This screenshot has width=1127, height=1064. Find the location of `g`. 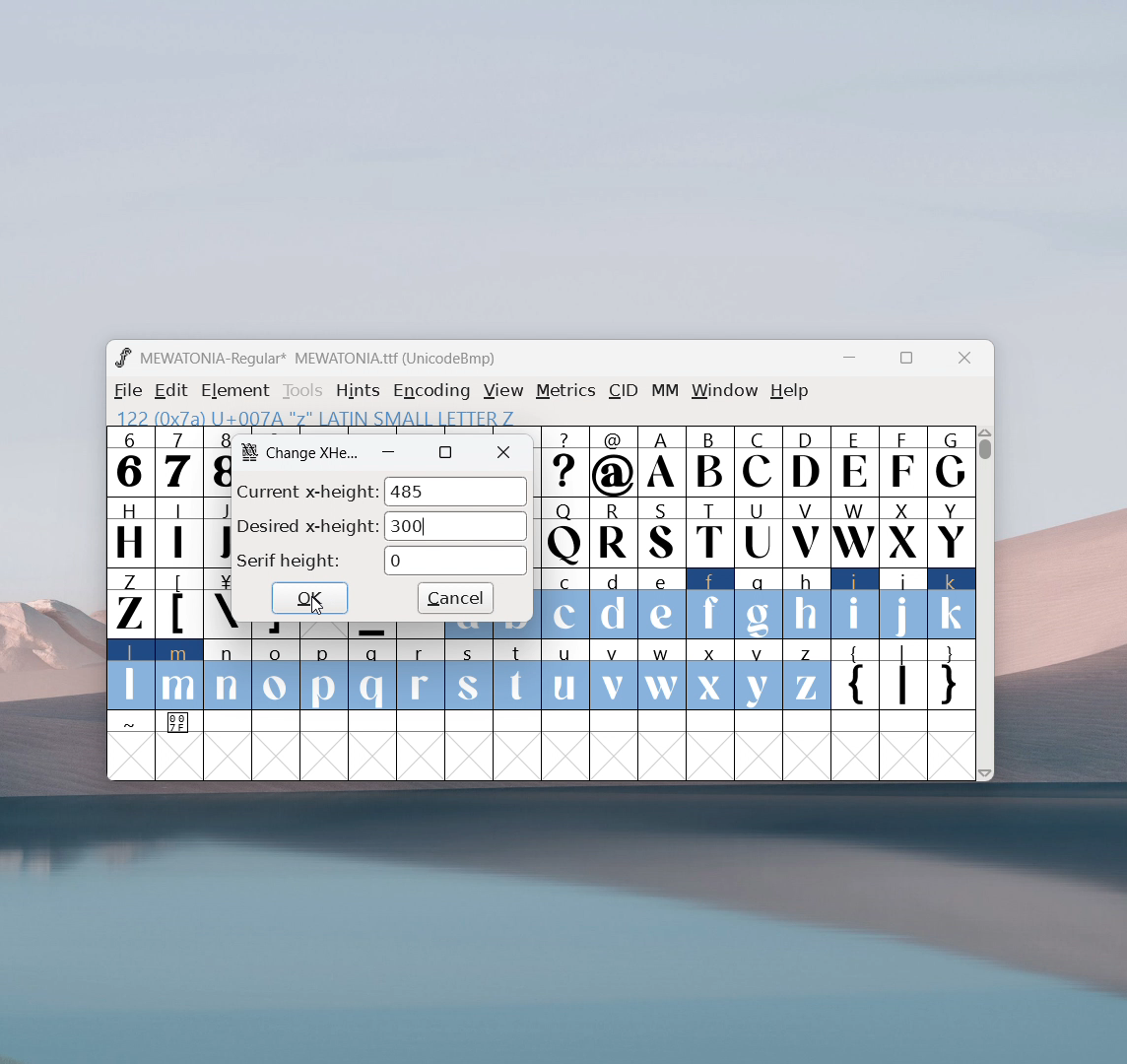

g is located at coordinates (759, 602).